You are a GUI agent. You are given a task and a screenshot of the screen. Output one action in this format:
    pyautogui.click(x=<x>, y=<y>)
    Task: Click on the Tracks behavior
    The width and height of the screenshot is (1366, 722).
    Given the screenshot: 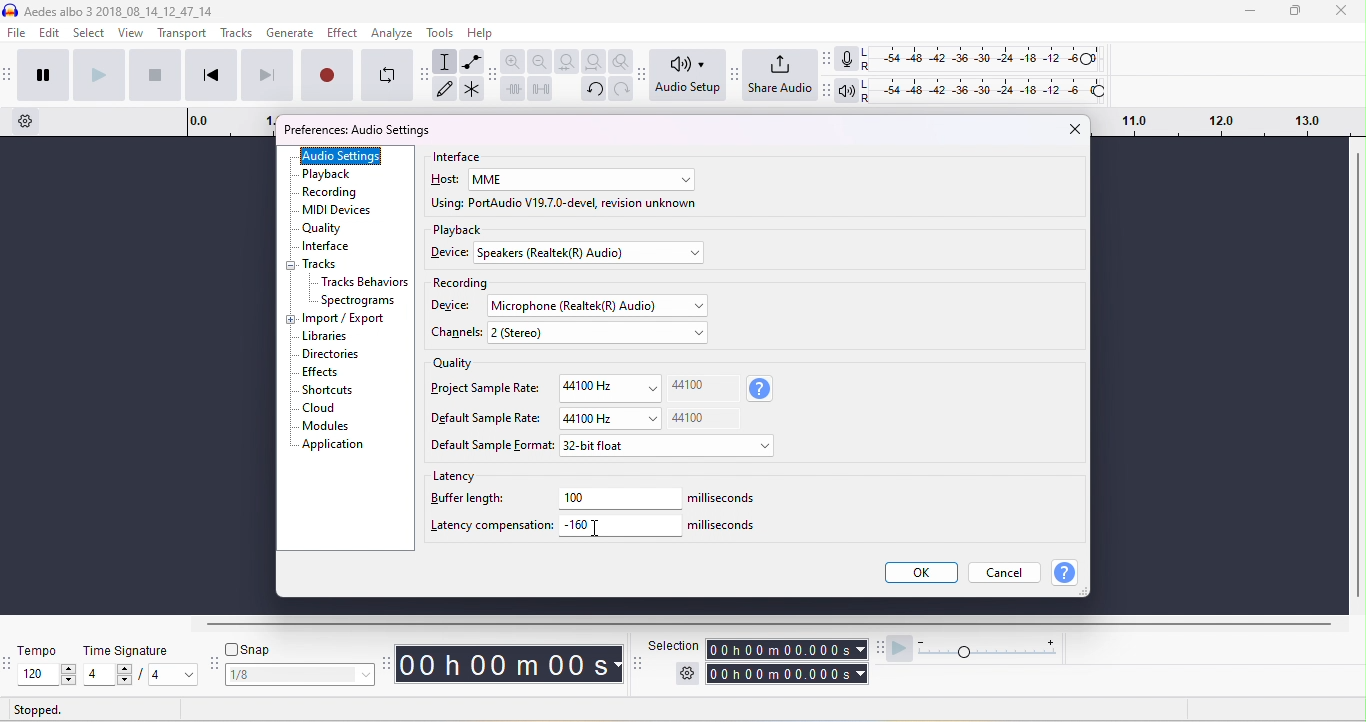 What is the action you would take?
    pyautogui.click(x=365, y=283)
    